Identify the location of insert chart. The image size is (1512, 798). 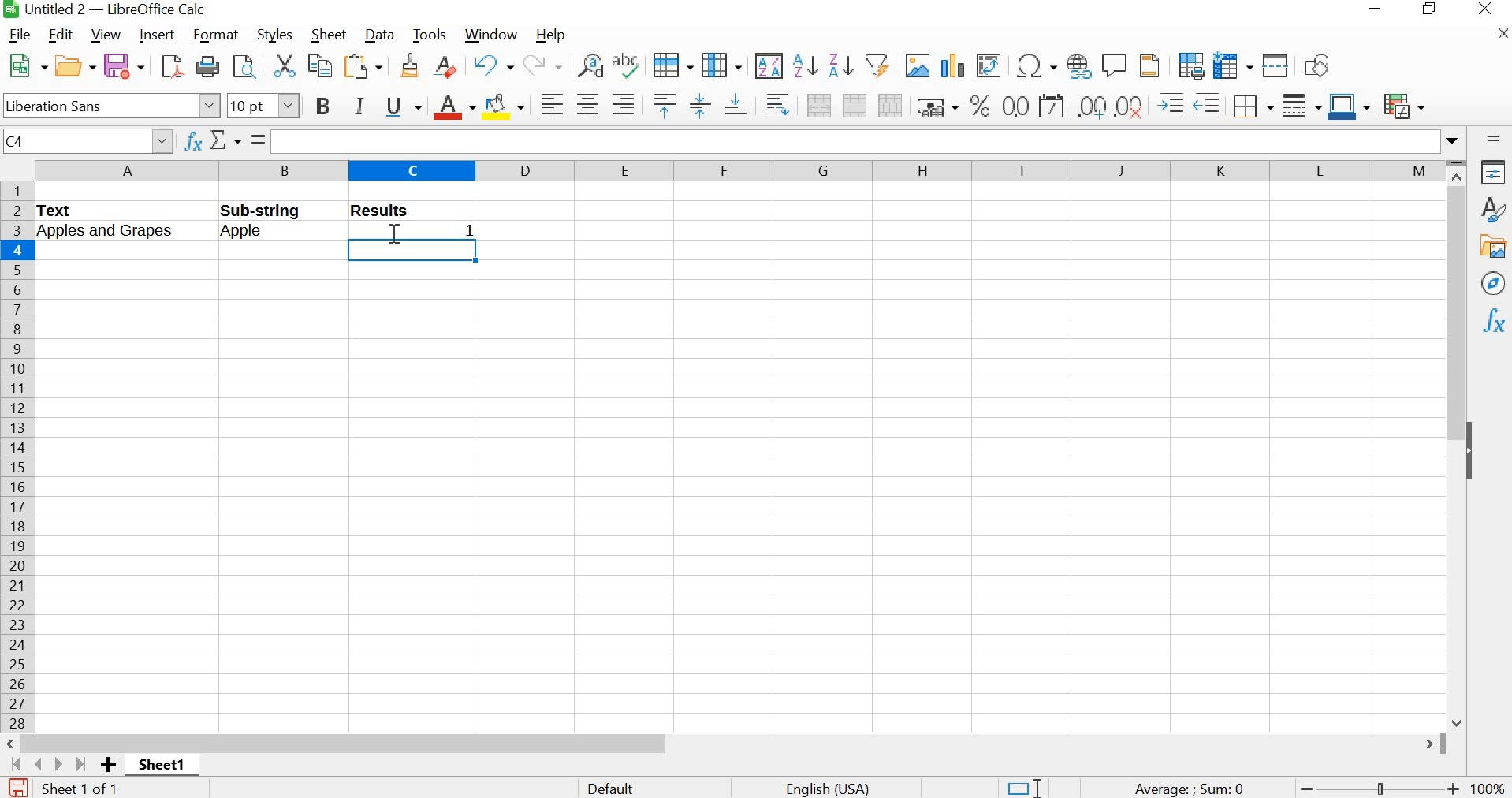
(954, 63).